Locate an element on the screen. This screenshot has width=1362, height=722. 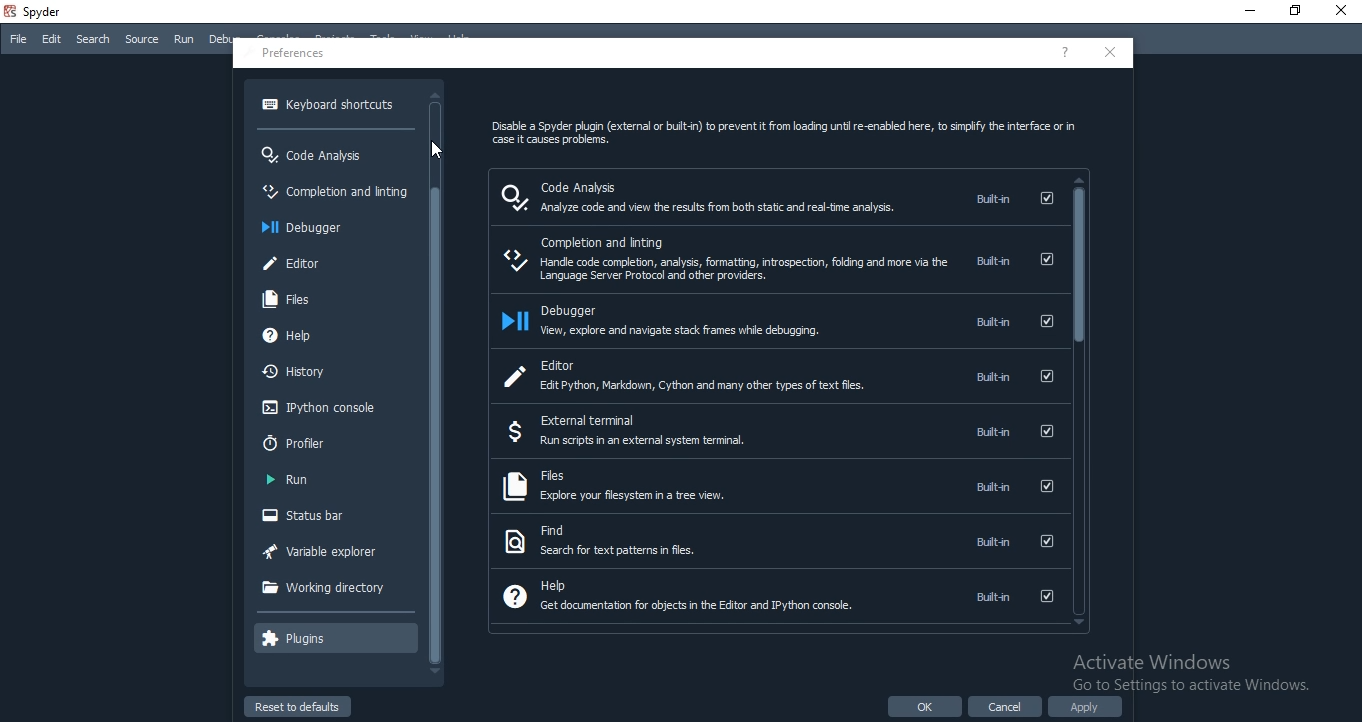
Debugger is located at coordinates (585, 307).